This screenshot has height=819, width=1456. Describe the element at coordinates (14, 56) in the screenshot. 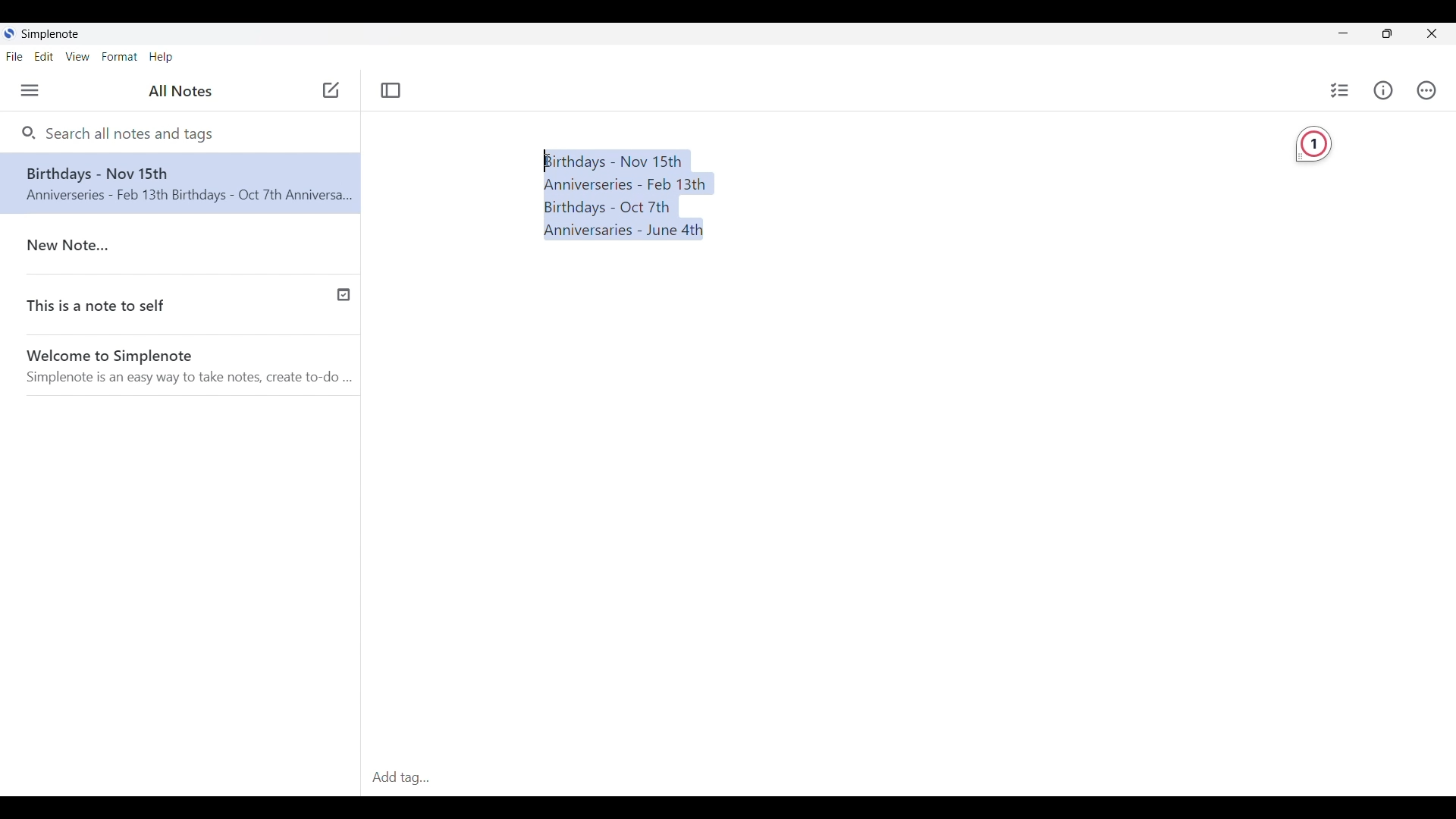

I see `File menu` at that location.